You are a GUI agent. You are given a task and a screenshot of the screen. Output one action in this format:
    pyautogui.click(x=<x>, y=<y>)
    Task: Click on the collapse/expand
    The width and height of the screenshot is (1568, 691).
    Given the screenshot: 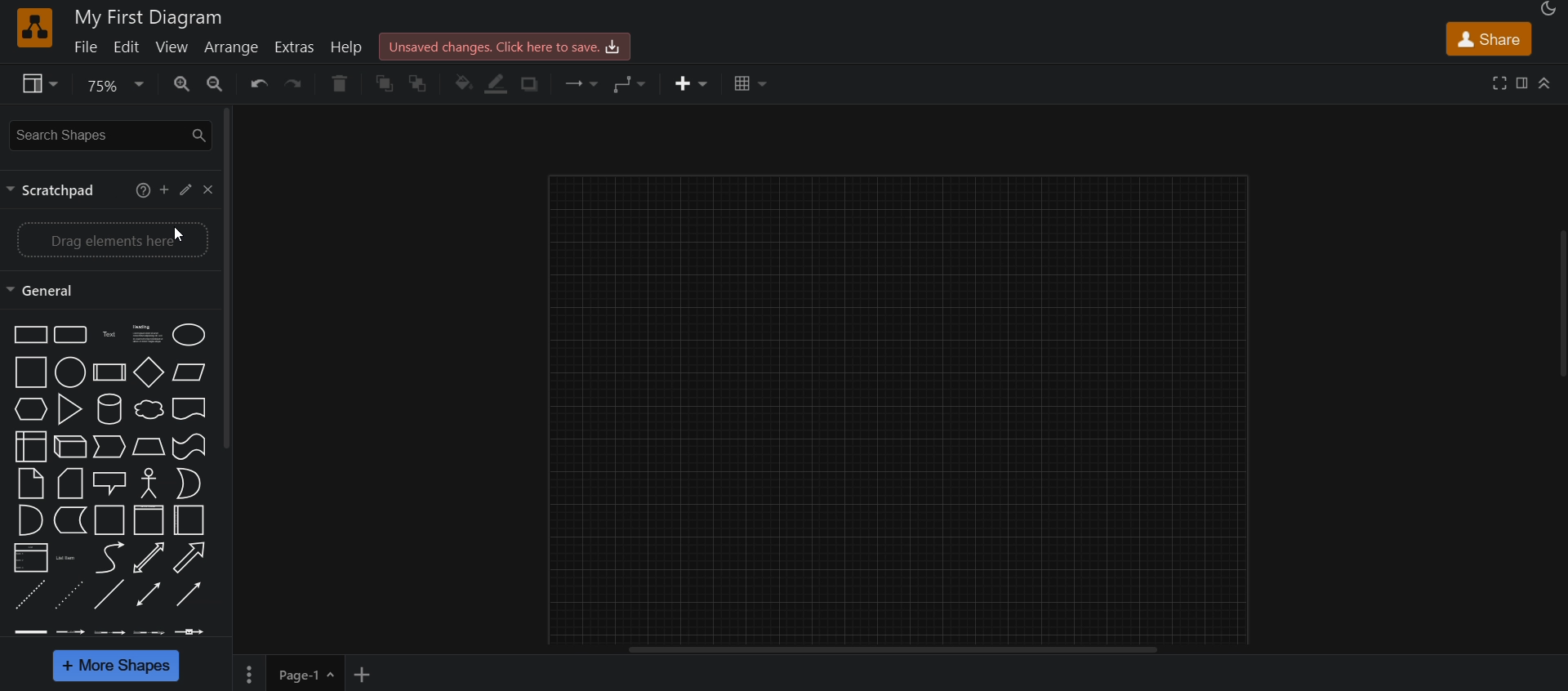 What is the action you would take?
    pyautogui.click(x=1548, y=83)
    